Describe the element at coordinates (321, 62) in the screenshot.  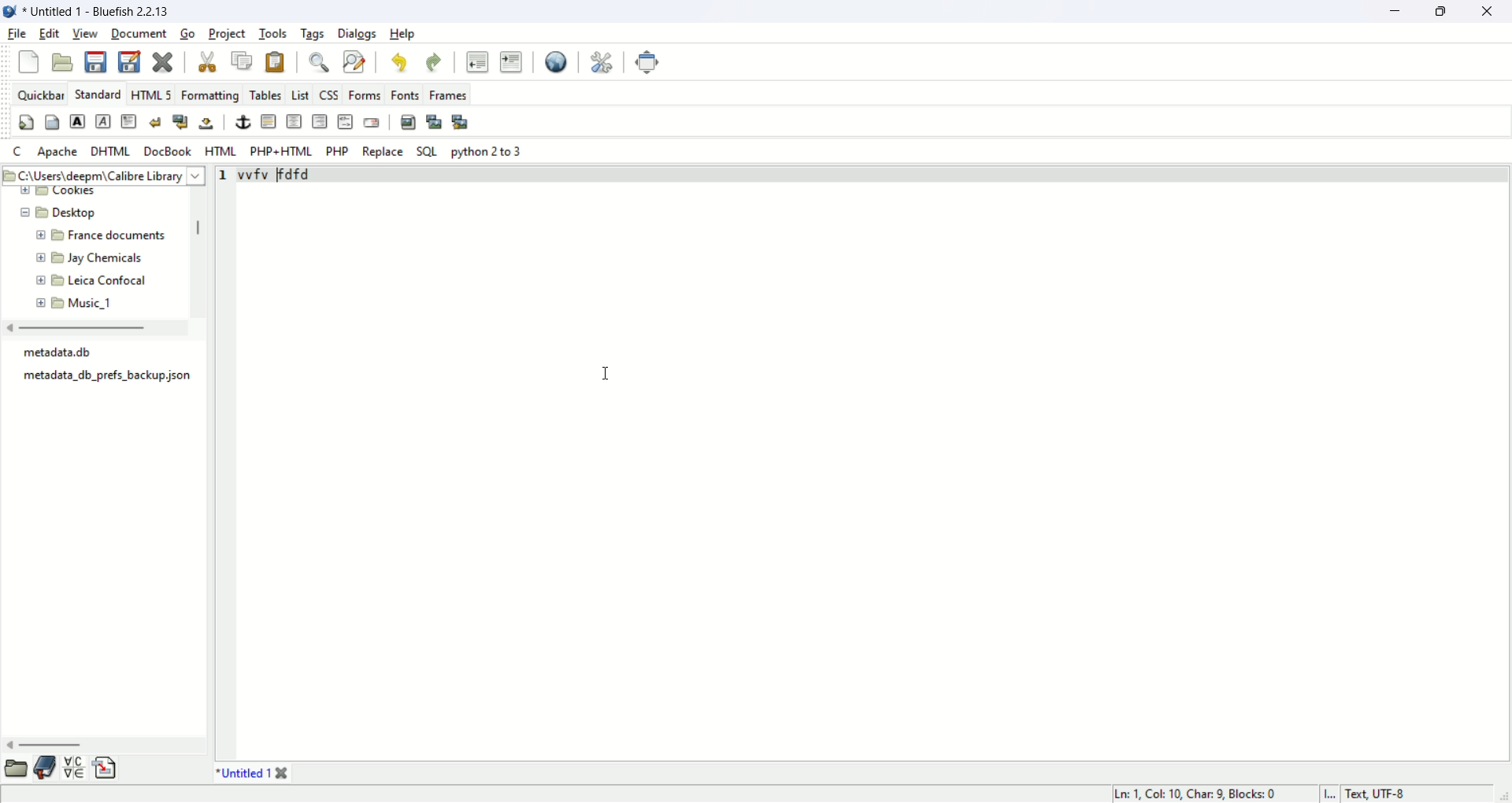
I see `find` at that location.